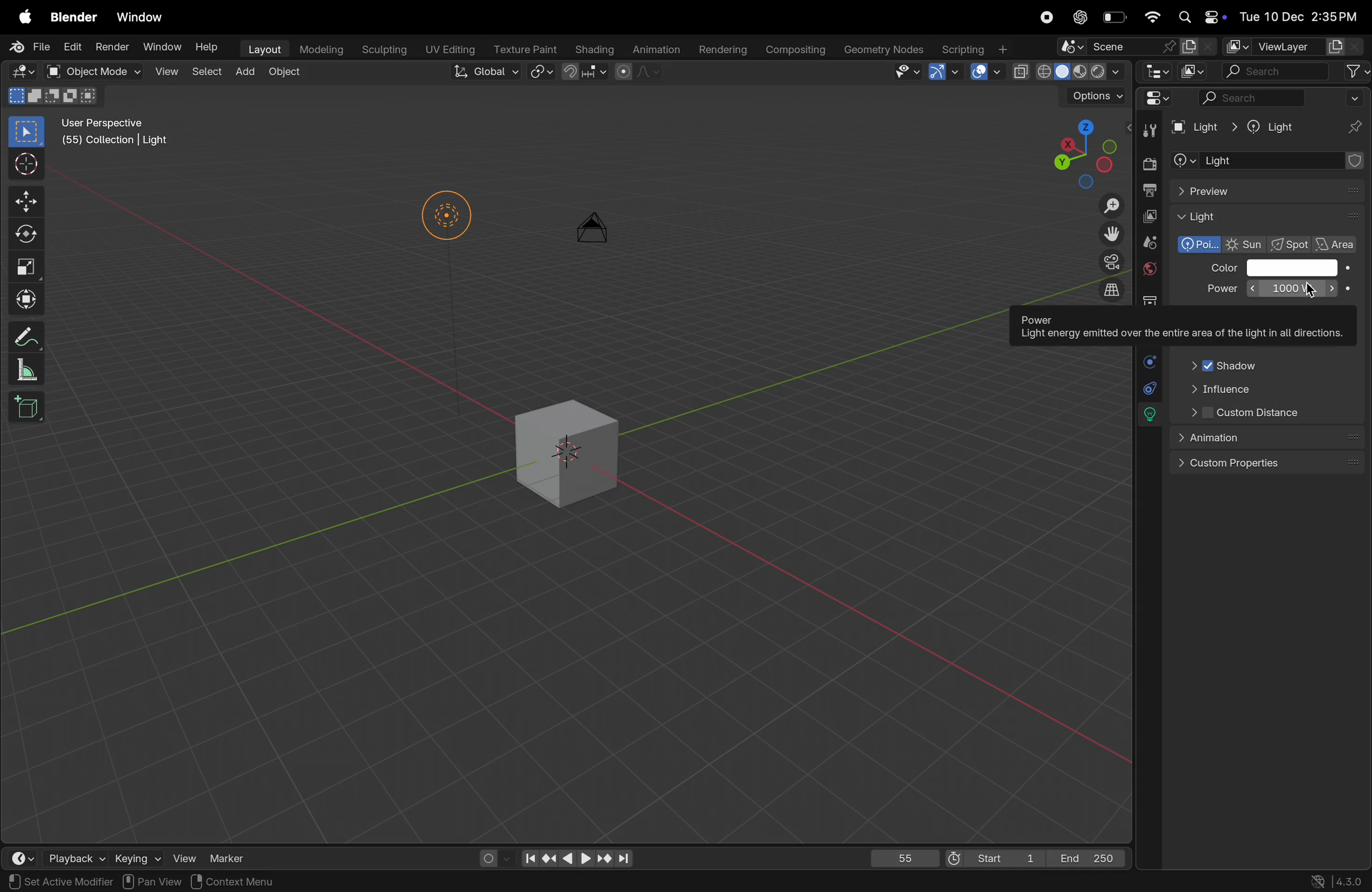 Image resolution: width=1372 pixels, height=892 pixels. What do you see at coordinates (1147, 388) in the screenshot?
I see `constarints` at bounding box center [1147, 388].